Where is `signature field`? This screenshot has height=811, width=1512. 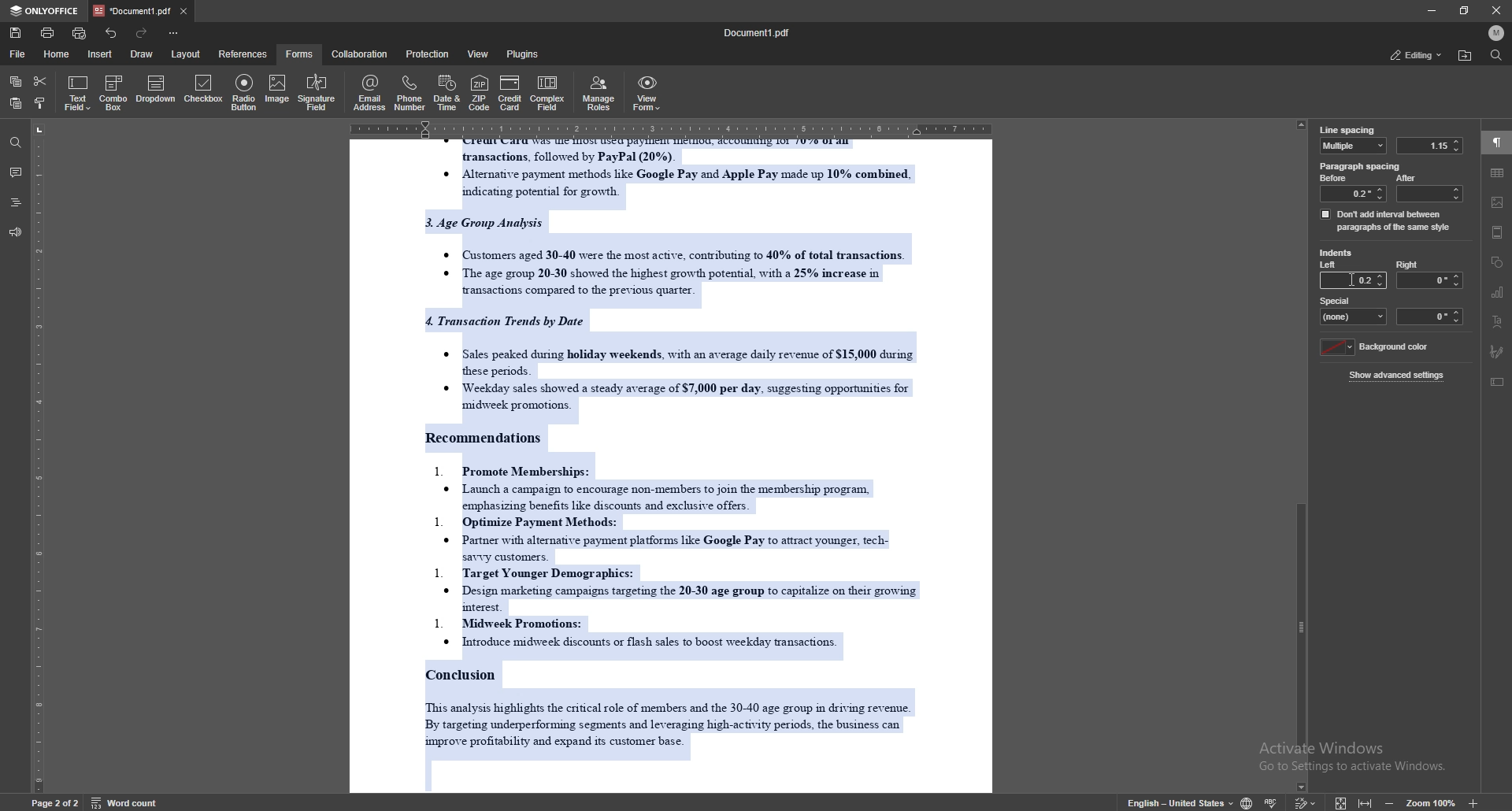
signature field is located at coordinates (317, 94).